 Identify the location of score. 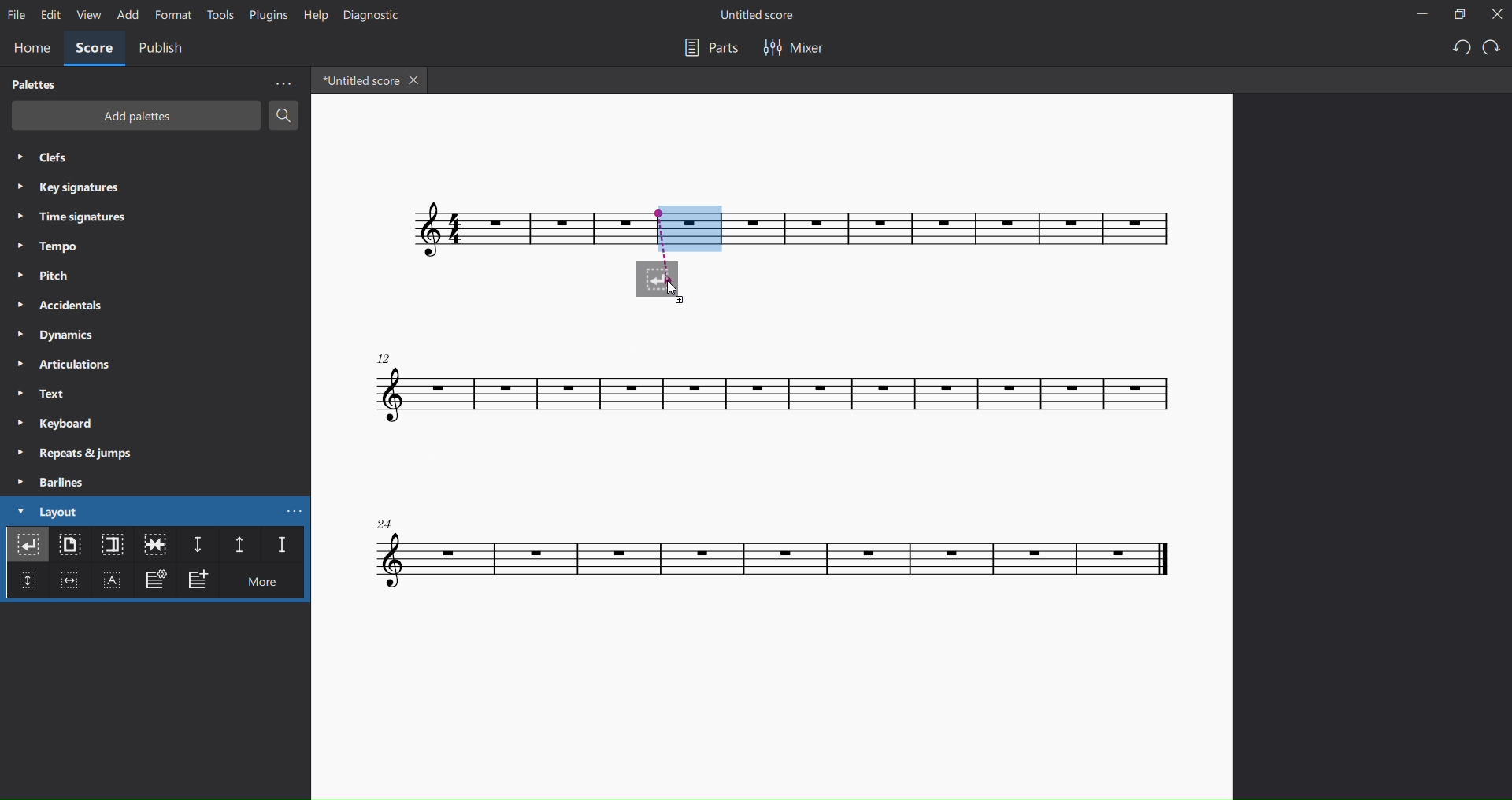
(476, 230).